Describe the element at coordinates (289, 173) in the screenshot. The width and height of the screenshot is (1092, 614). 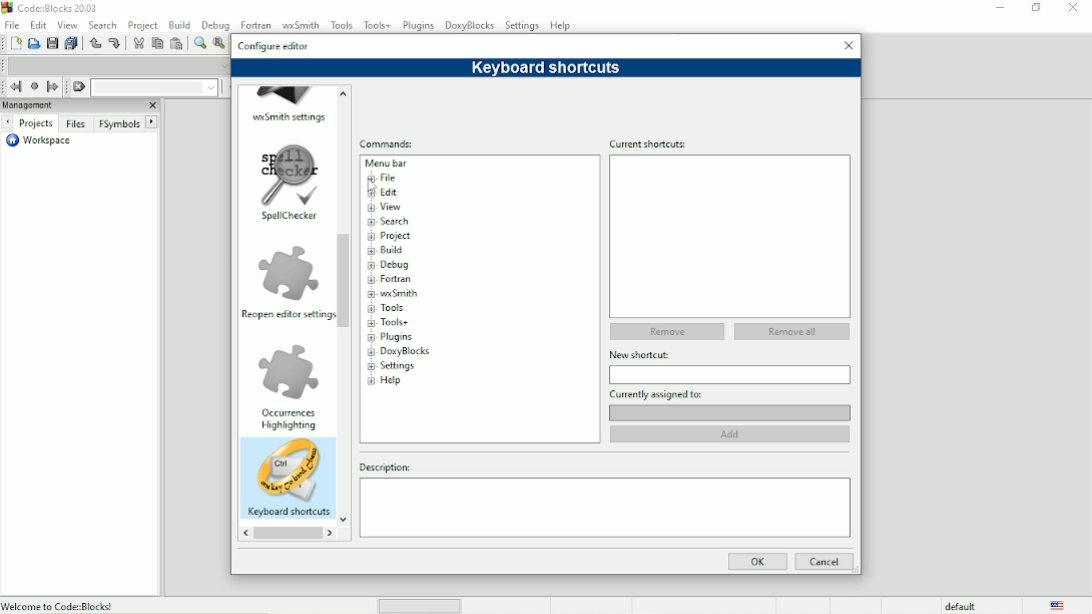
I see `image` at that location.